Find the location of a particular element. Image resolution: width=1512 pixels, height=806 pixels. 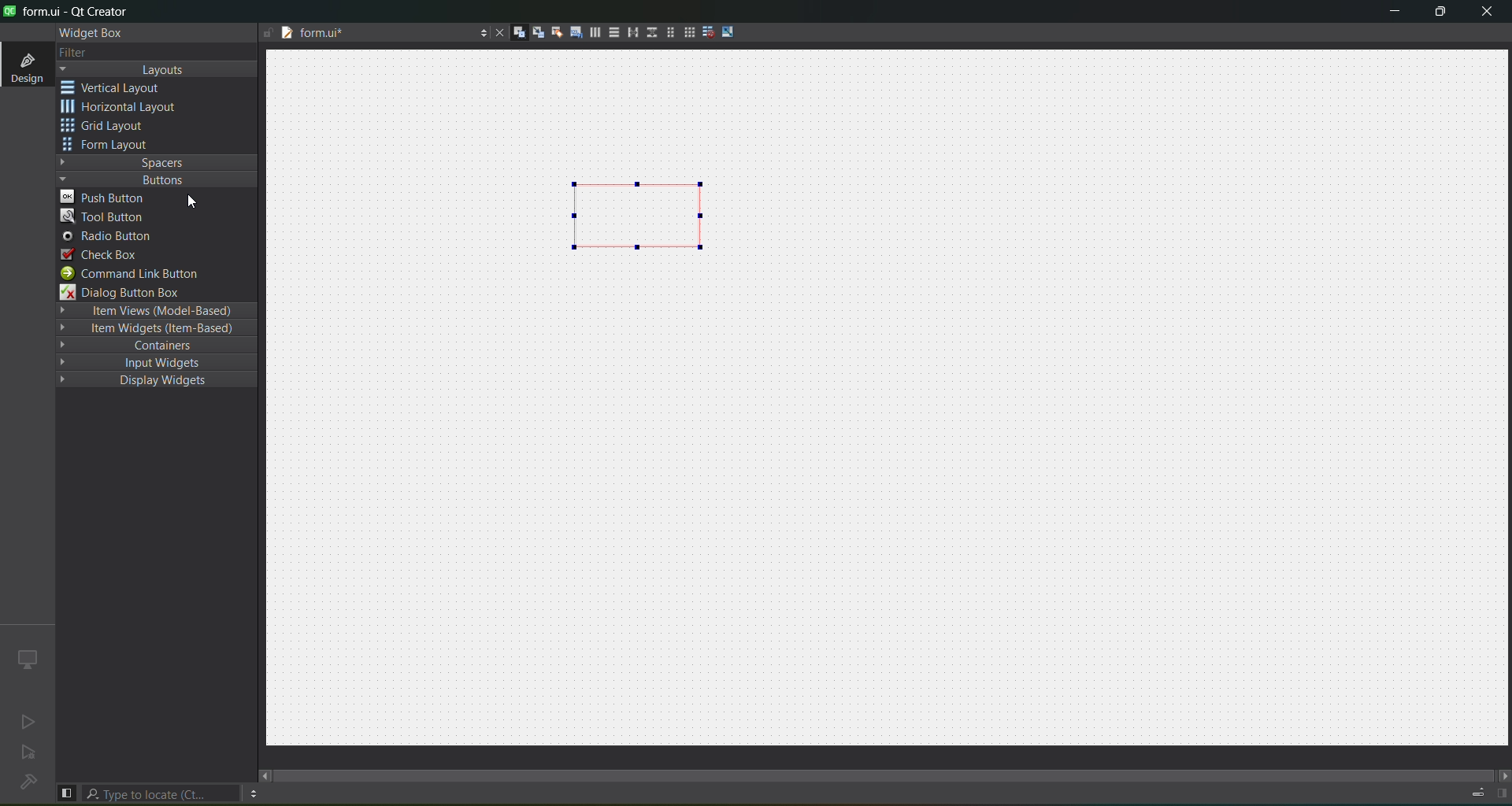

vertical layout is located at coordinates (613, 32).